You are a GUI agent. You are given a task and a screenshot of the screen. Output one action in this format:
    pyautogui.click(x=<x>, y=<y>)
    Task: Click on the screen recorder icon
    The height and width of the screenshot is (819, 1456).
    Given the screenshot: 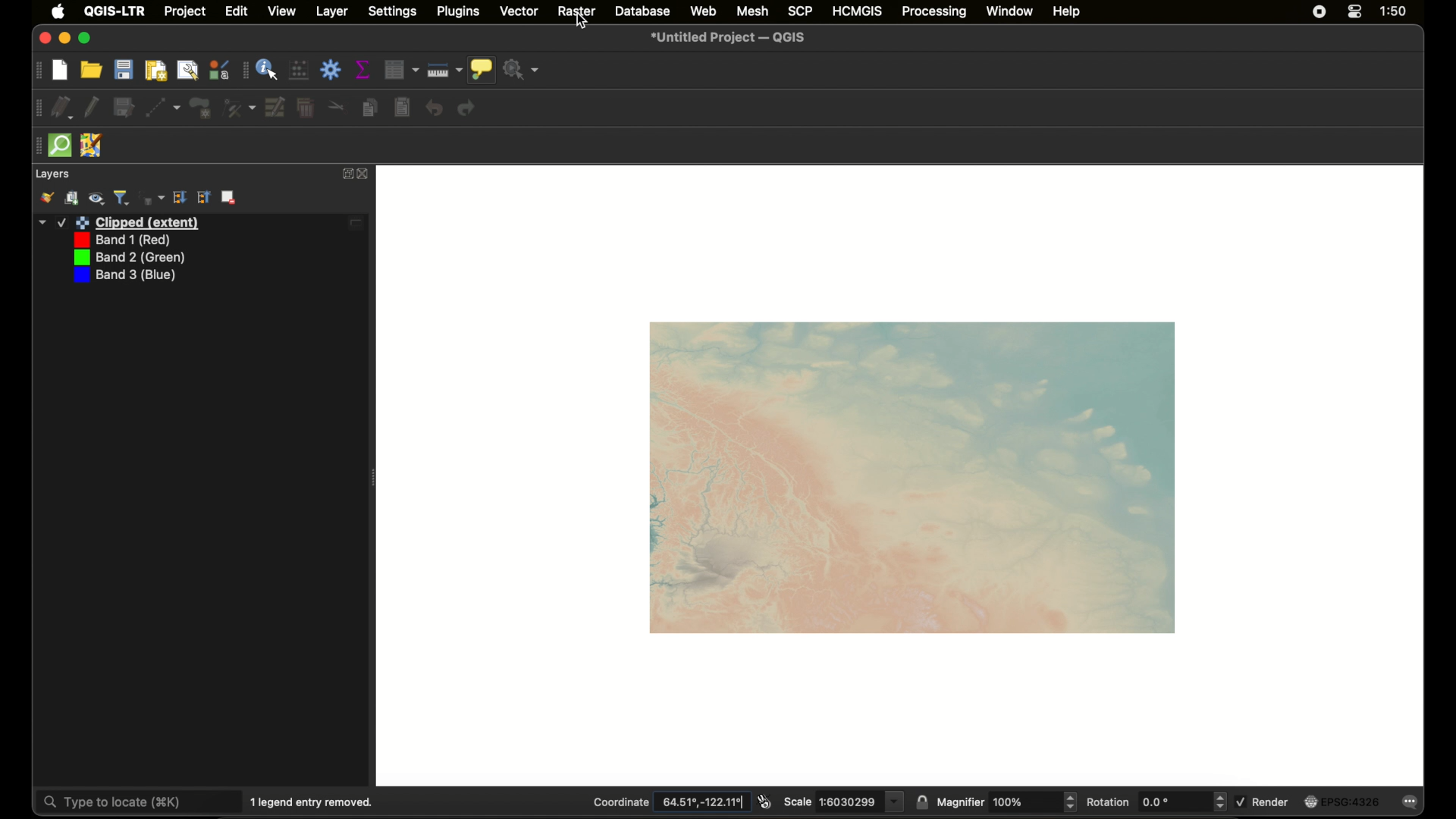 What is the action you would take?
    pyautogui.click(x=1319, y=12)
    